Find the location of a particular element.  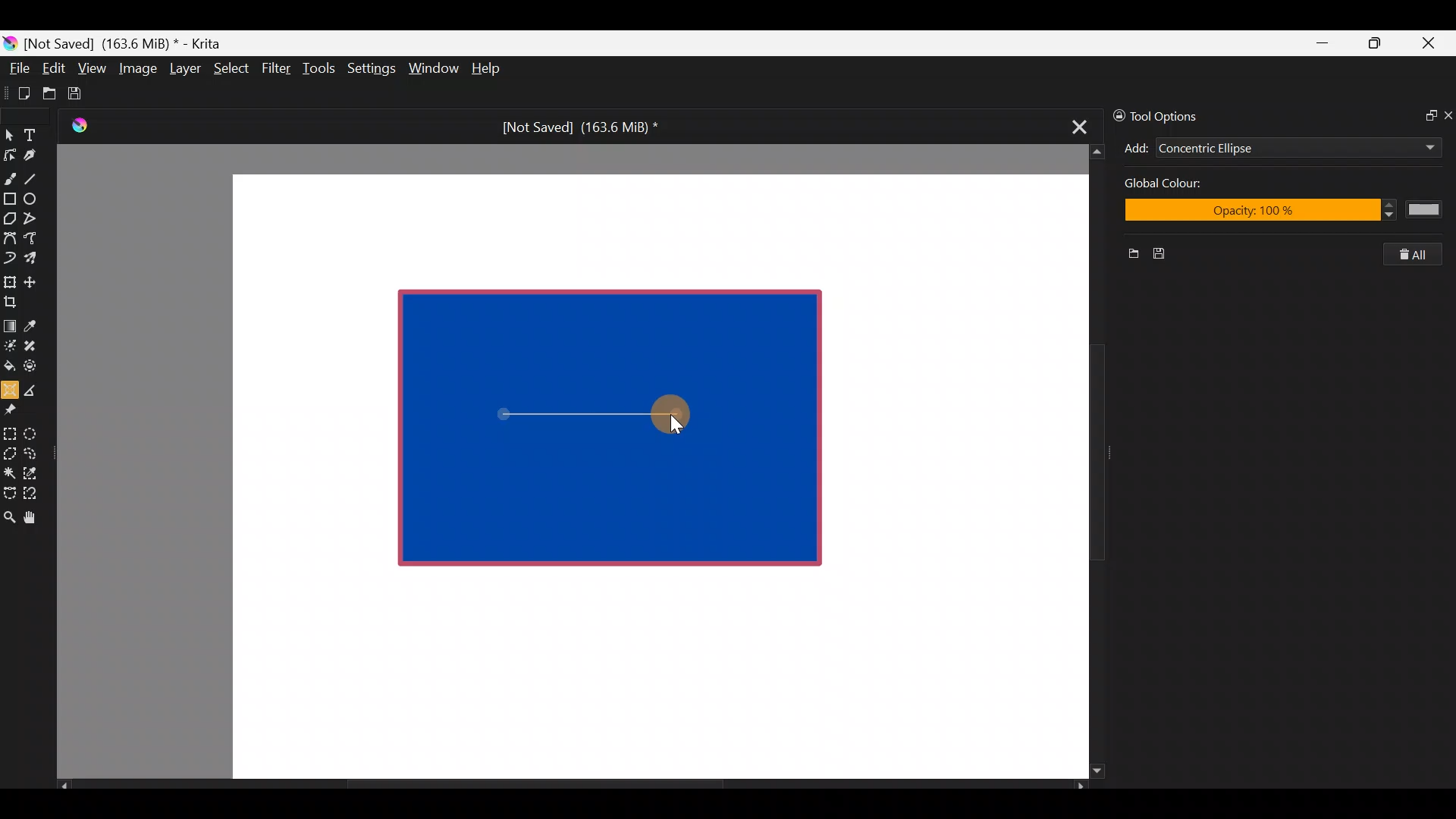

Edit shapes tool is located at coordinates (10, 154).